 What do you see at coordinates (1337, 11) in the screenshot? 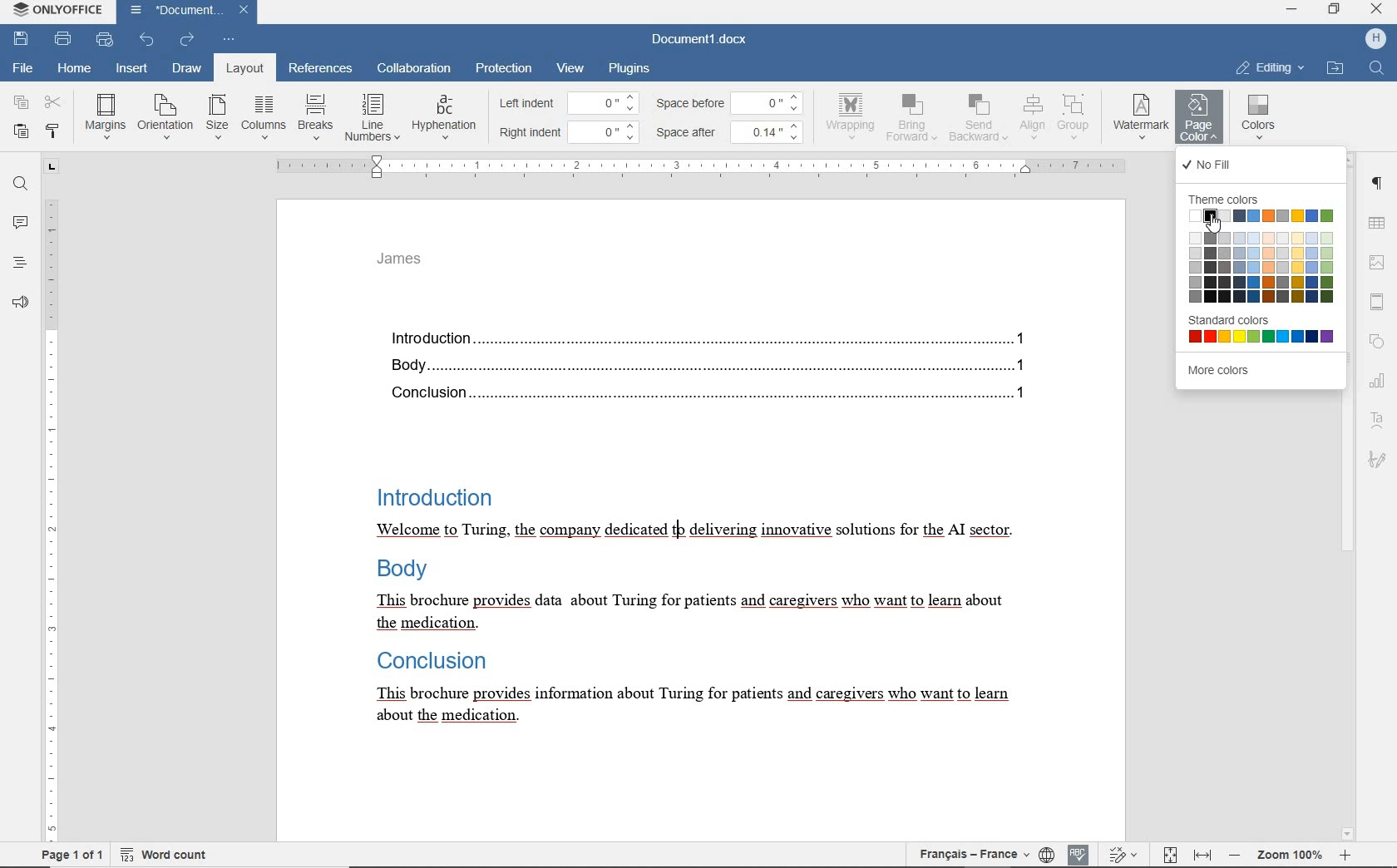
I see `restore down` at bounding box center [1337, 11].